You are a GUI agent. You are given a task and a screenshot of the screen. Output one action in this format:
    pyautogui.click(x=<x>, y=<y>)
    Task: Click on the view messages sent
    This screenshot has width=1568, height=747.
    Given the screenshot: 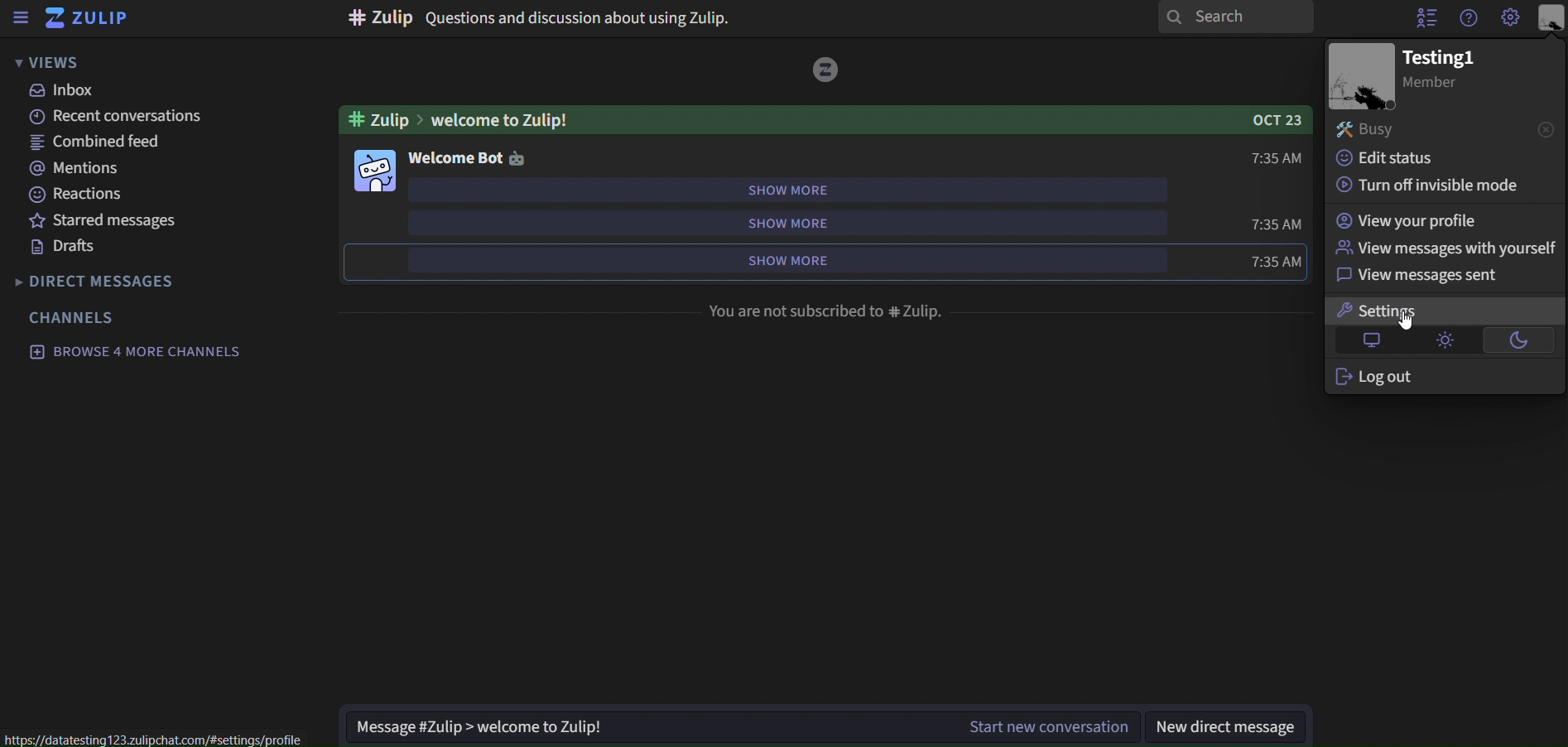 What is the action you would take?
    pyautogui.click(x=1445, y=275)
    